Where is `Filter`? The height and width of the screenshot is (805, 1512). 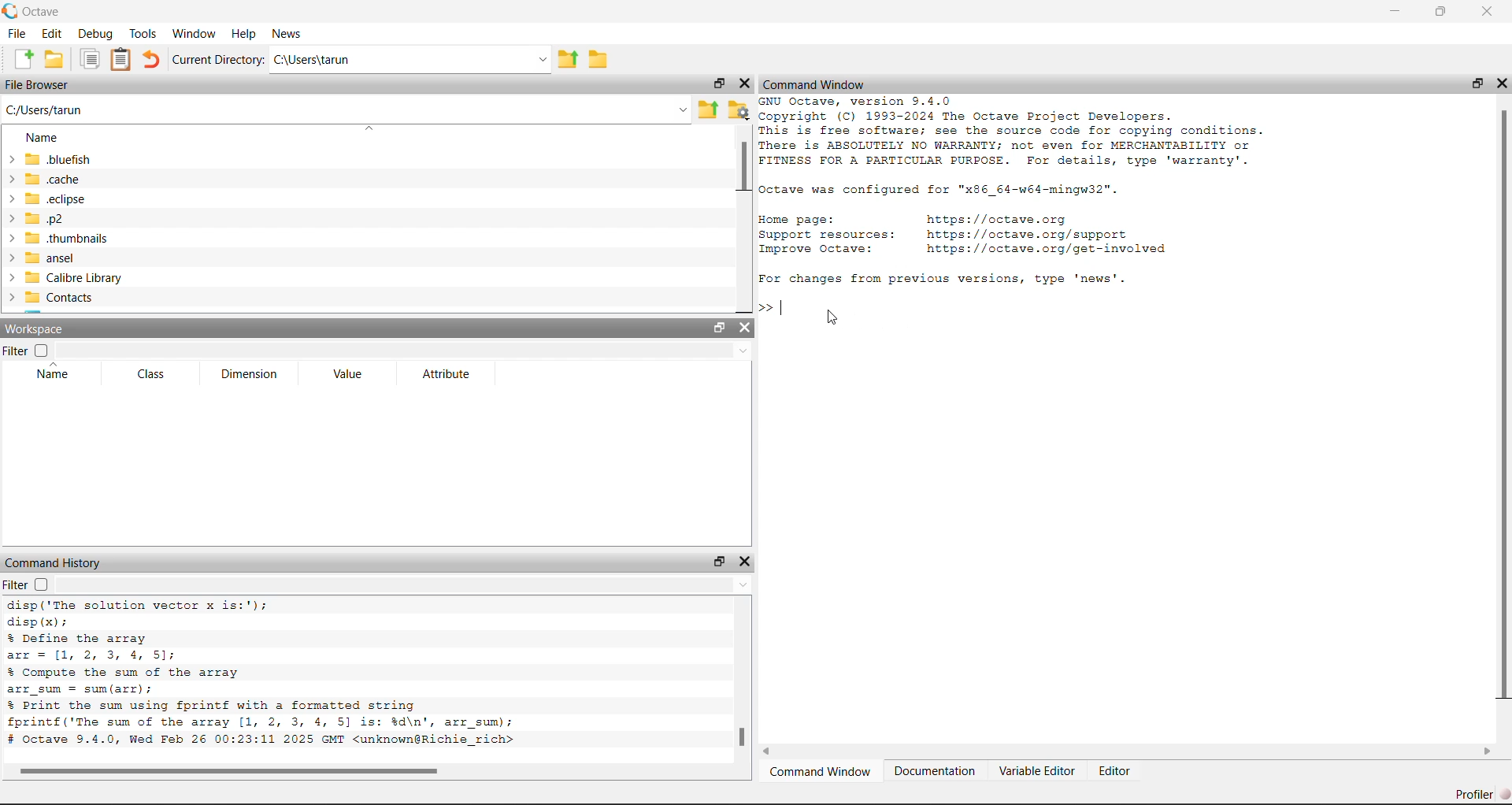 Filter is located at coordinates (16, 584).